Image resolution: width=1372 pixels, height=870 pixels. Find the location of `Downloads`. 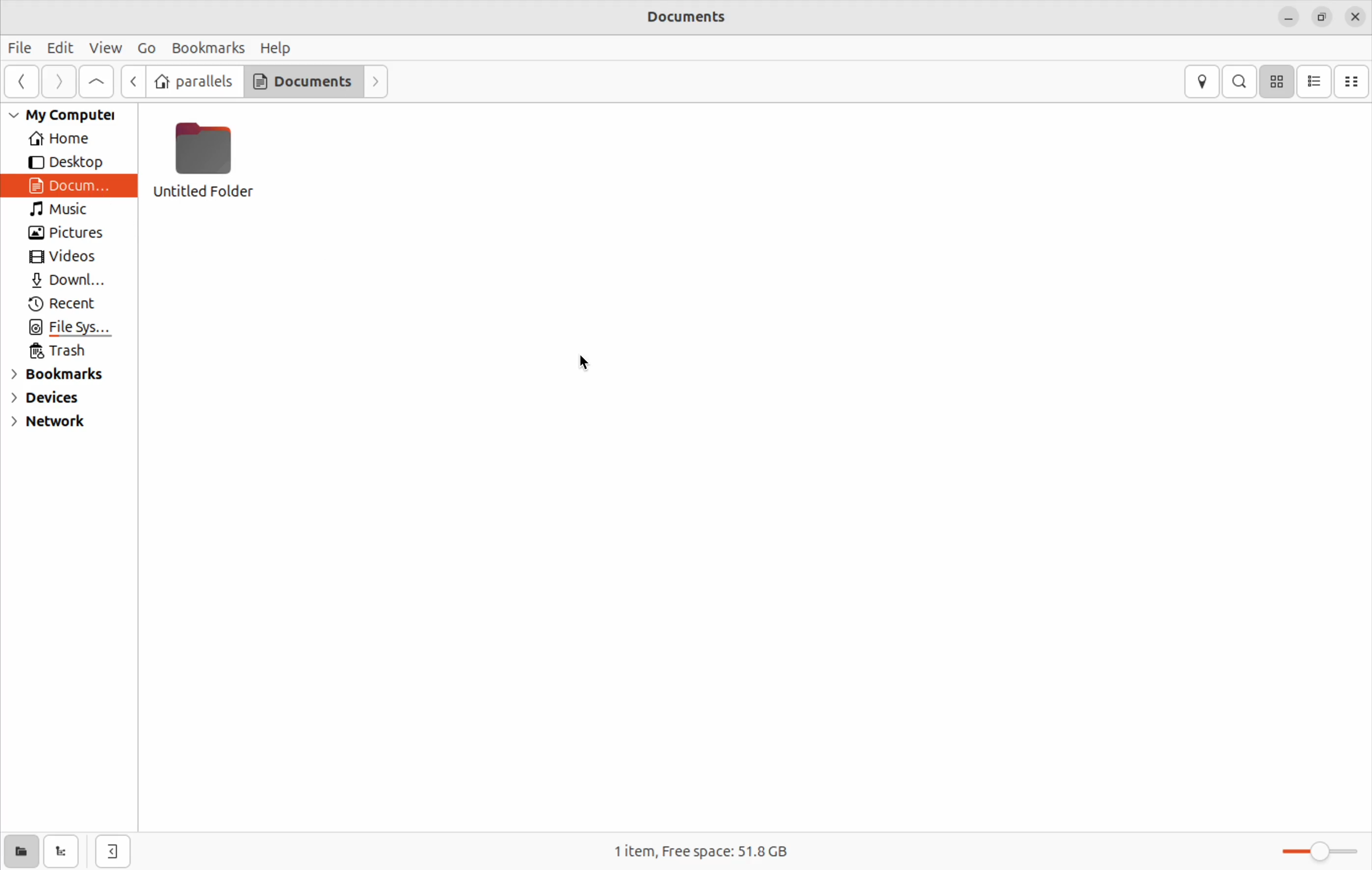

Downloads is located at coordinates (71, 283).